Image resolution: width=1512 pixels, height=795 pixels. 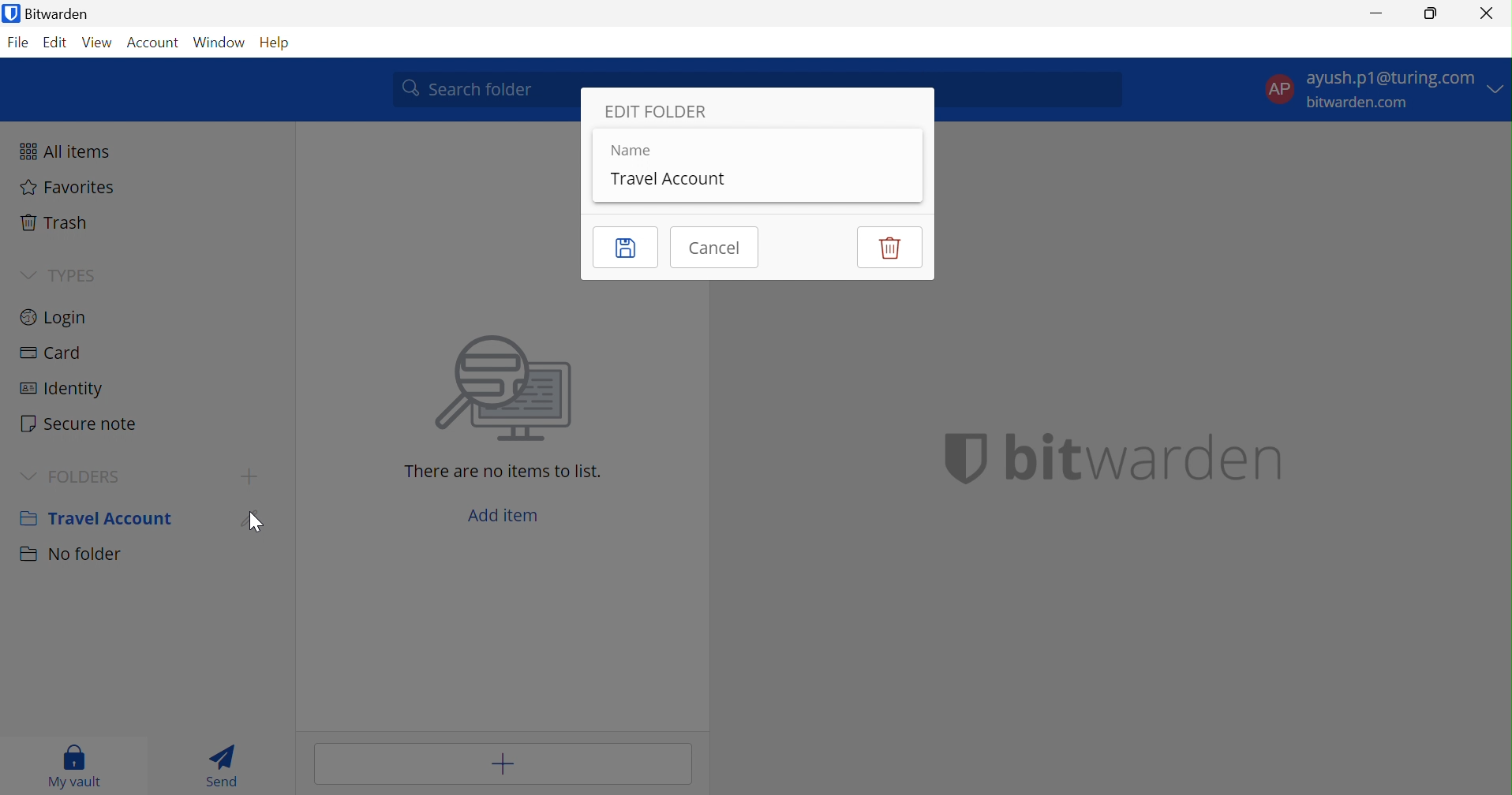 I want to click on Send, so click(x=224, y=765).